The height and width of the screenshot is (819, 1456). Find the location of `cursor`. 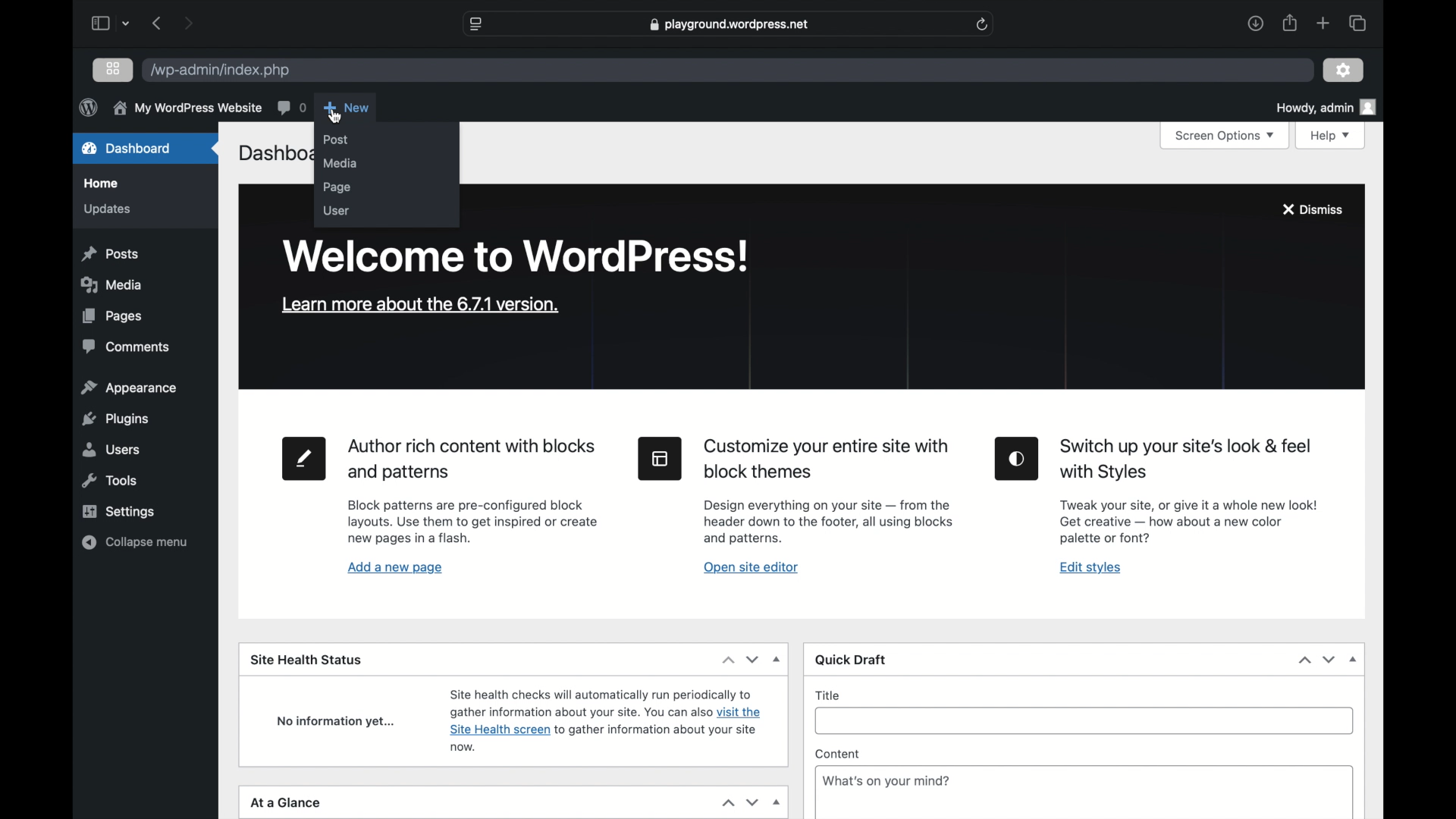

cursor is located at coordinates (336, 118).